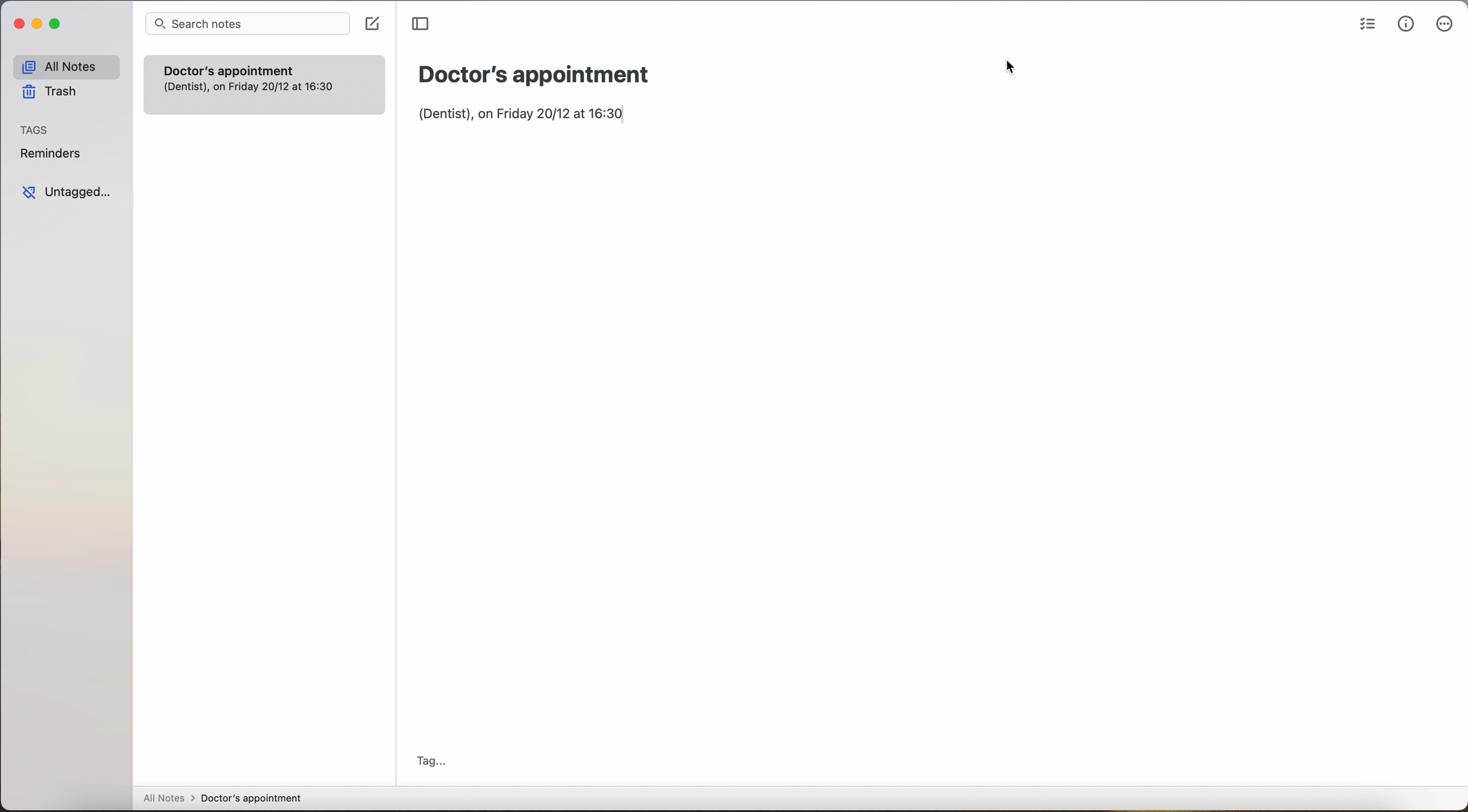 Image resolution: width=1468 pixels, height=812 pixels. What do you see at coordinates (36, 130) in the screenshot?
I see `Tags` at bounding box center [36, 130].